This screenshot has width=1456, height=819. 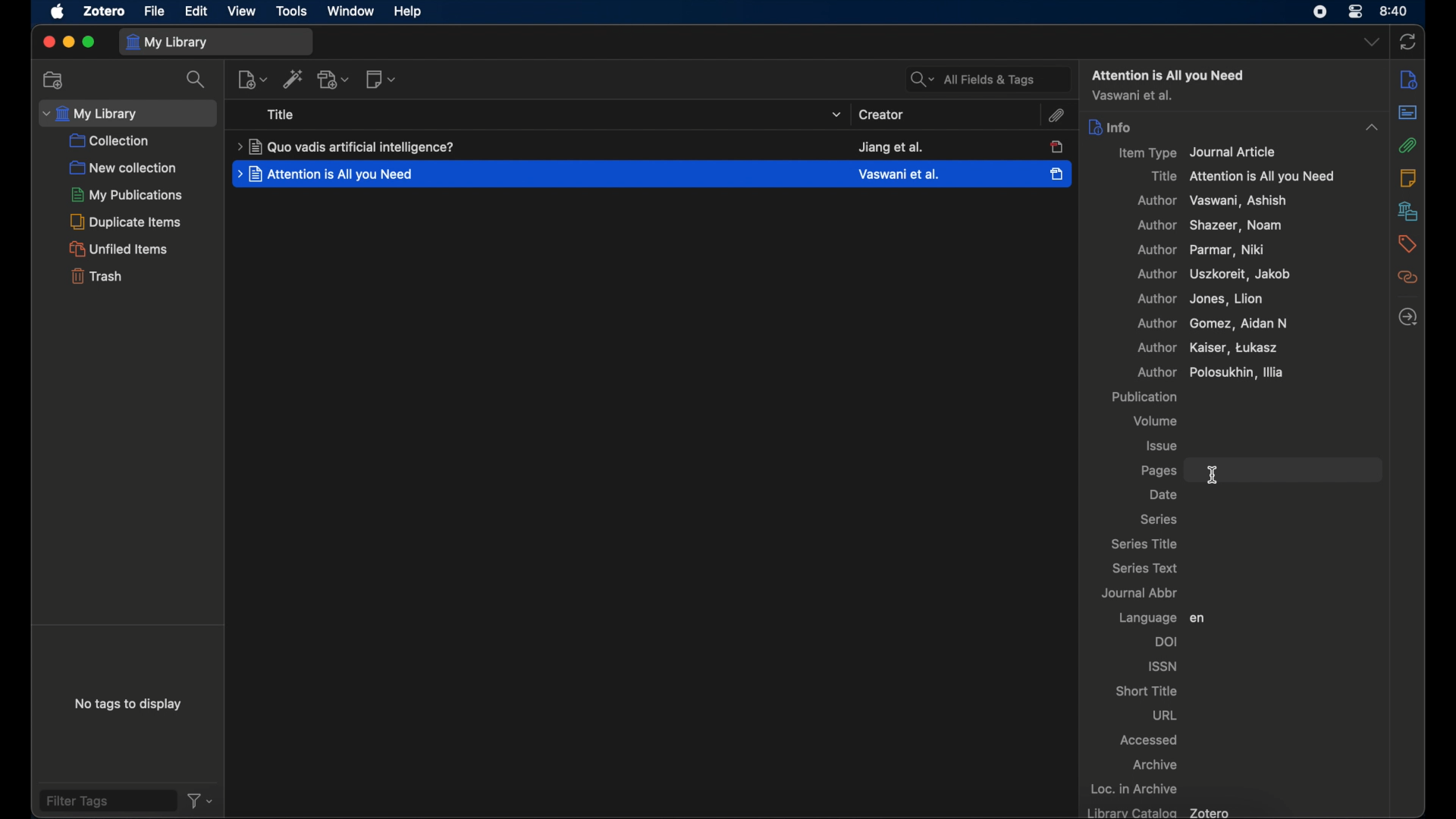 I want to click on apple icon, so click(x=56, y=12).